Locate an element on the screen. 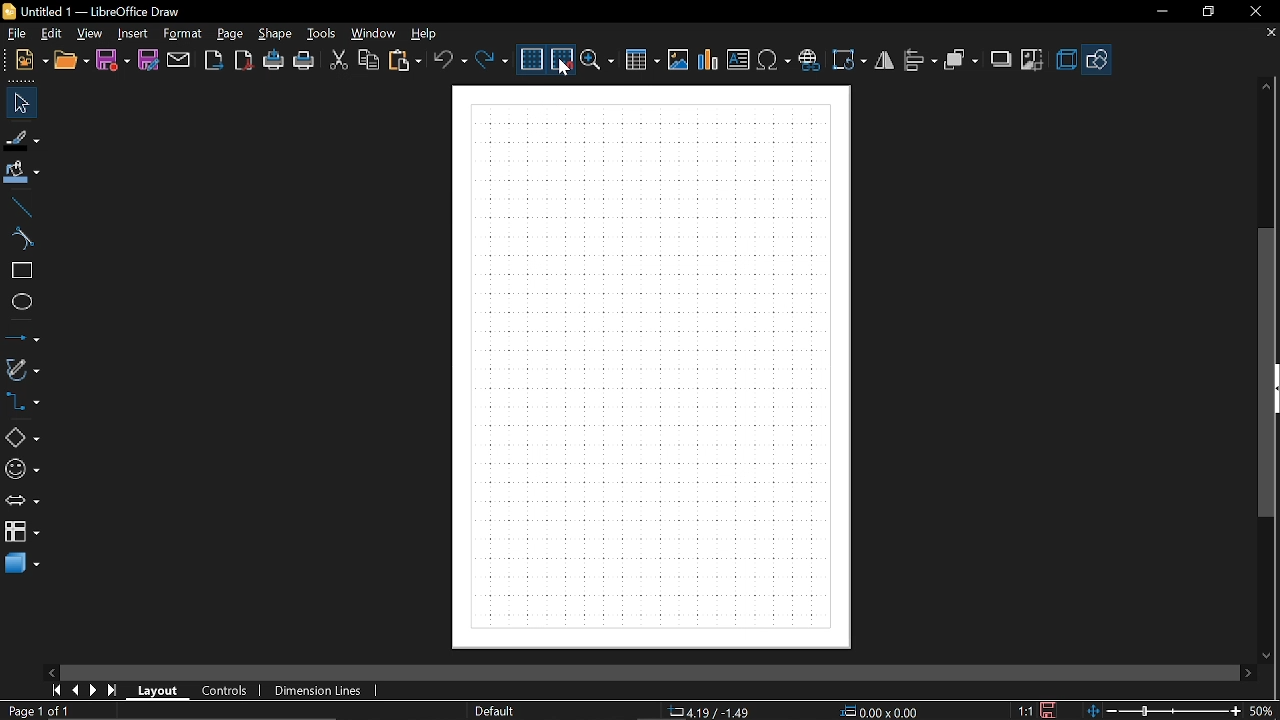 The image size is (1280, 720). lines and arrows is located at coordinates (23, 338).